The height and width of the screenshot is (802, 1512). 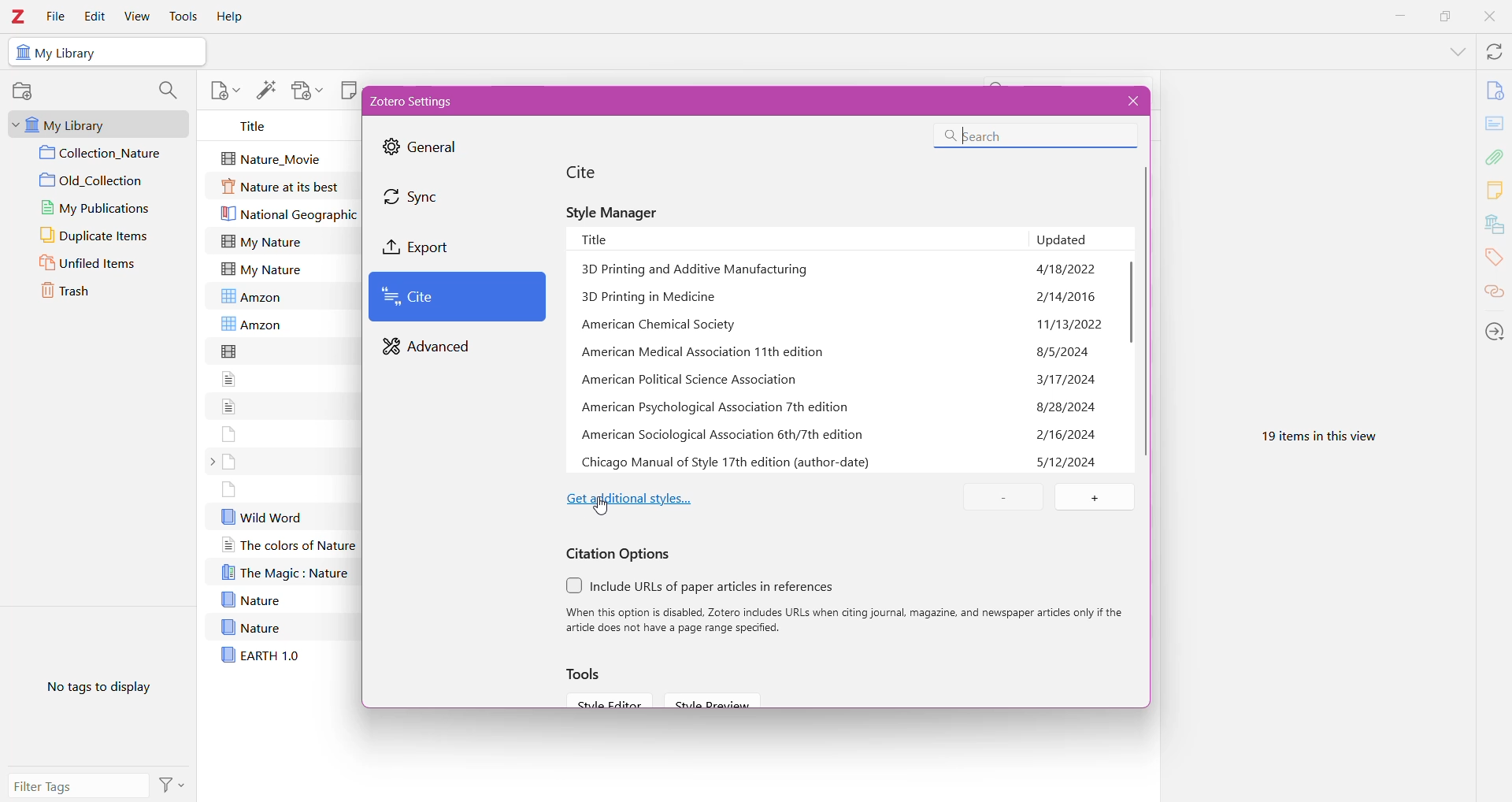 What do you see at coordinates (1068, 461) in the screenshot?
I see `5/12/2024` at bounding box center [1068, 461].